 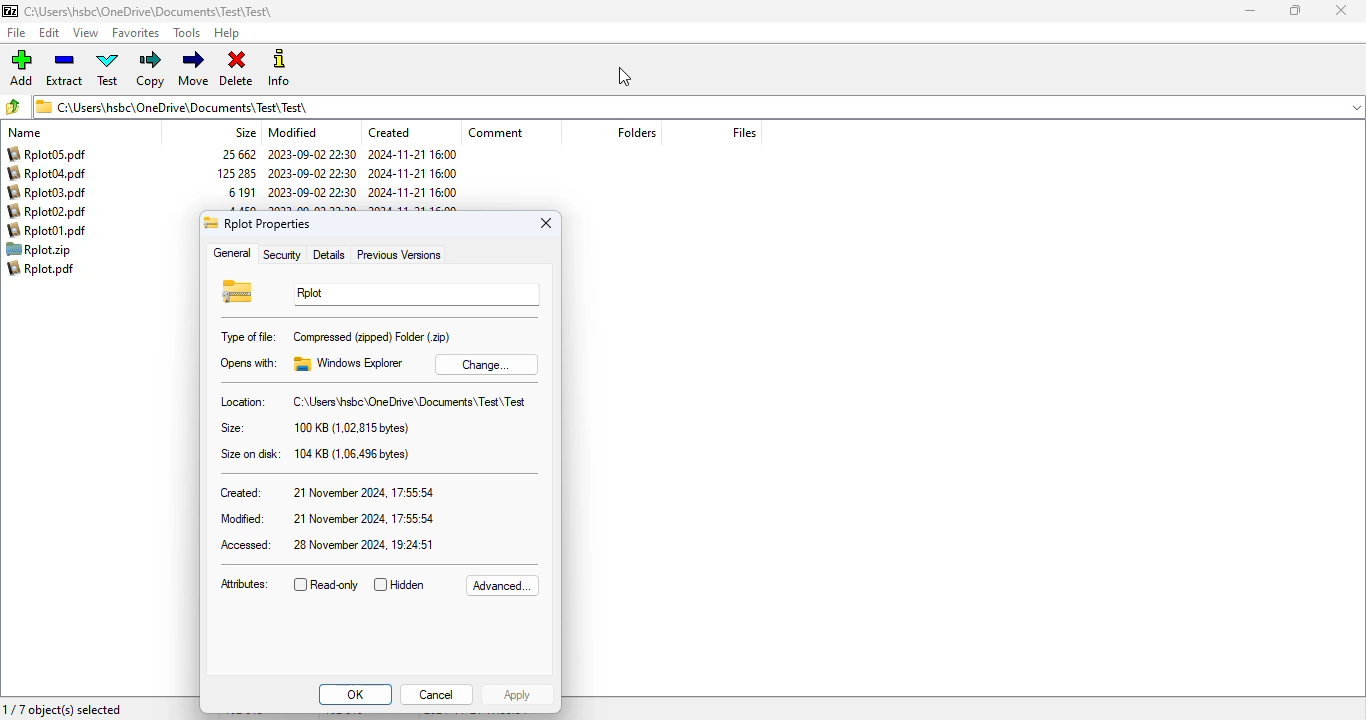 What do you see at coordinates (150, 69) in the screenshot?
I see `copy` at bounding box center [150, 69].